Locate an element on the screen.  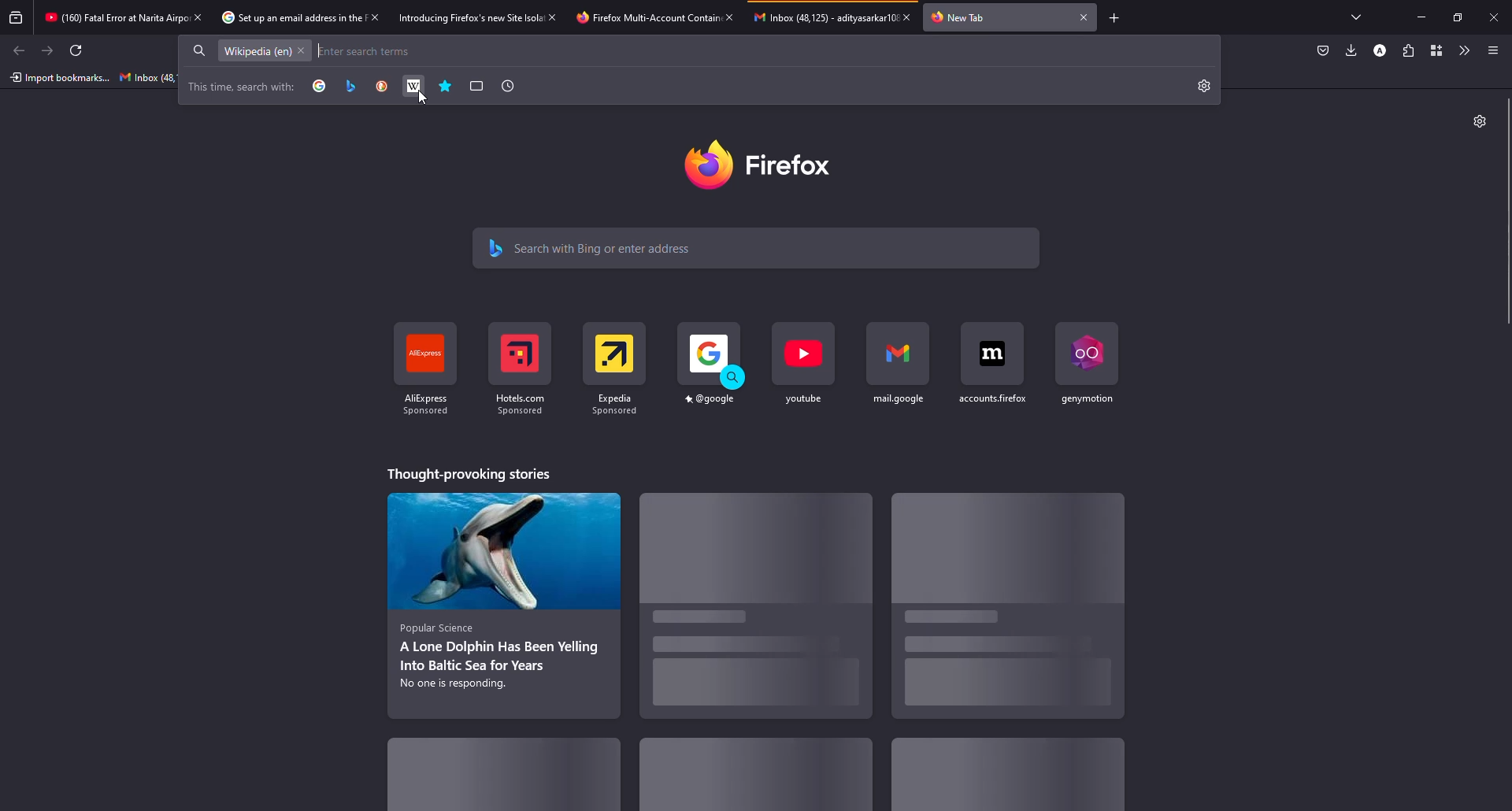
search the web is located at coordinates (364, 51).